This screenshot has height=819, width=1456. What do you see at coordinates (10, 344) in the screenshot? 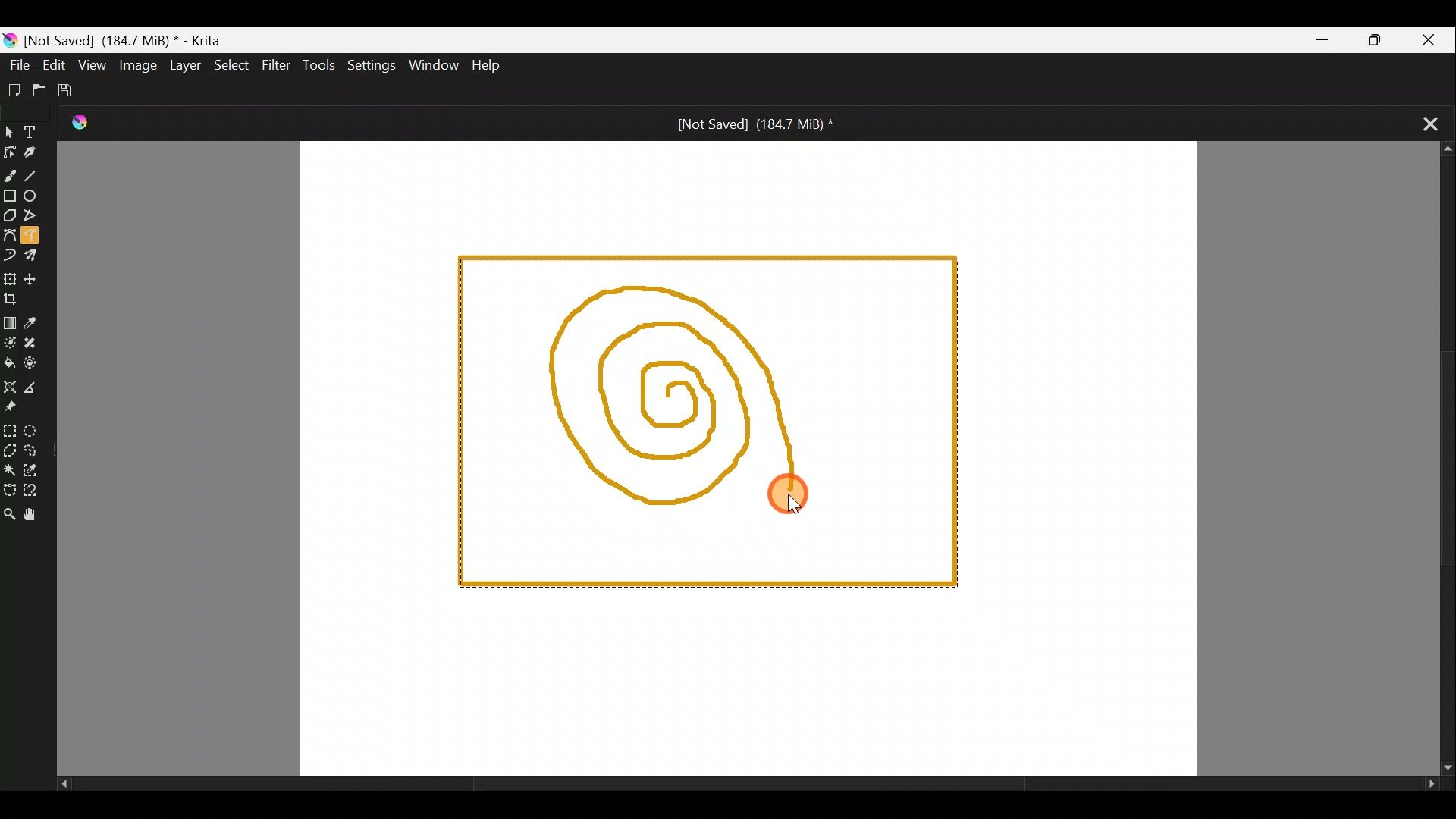
I see `Colourise mask tool` at bounding box center [10, 344].